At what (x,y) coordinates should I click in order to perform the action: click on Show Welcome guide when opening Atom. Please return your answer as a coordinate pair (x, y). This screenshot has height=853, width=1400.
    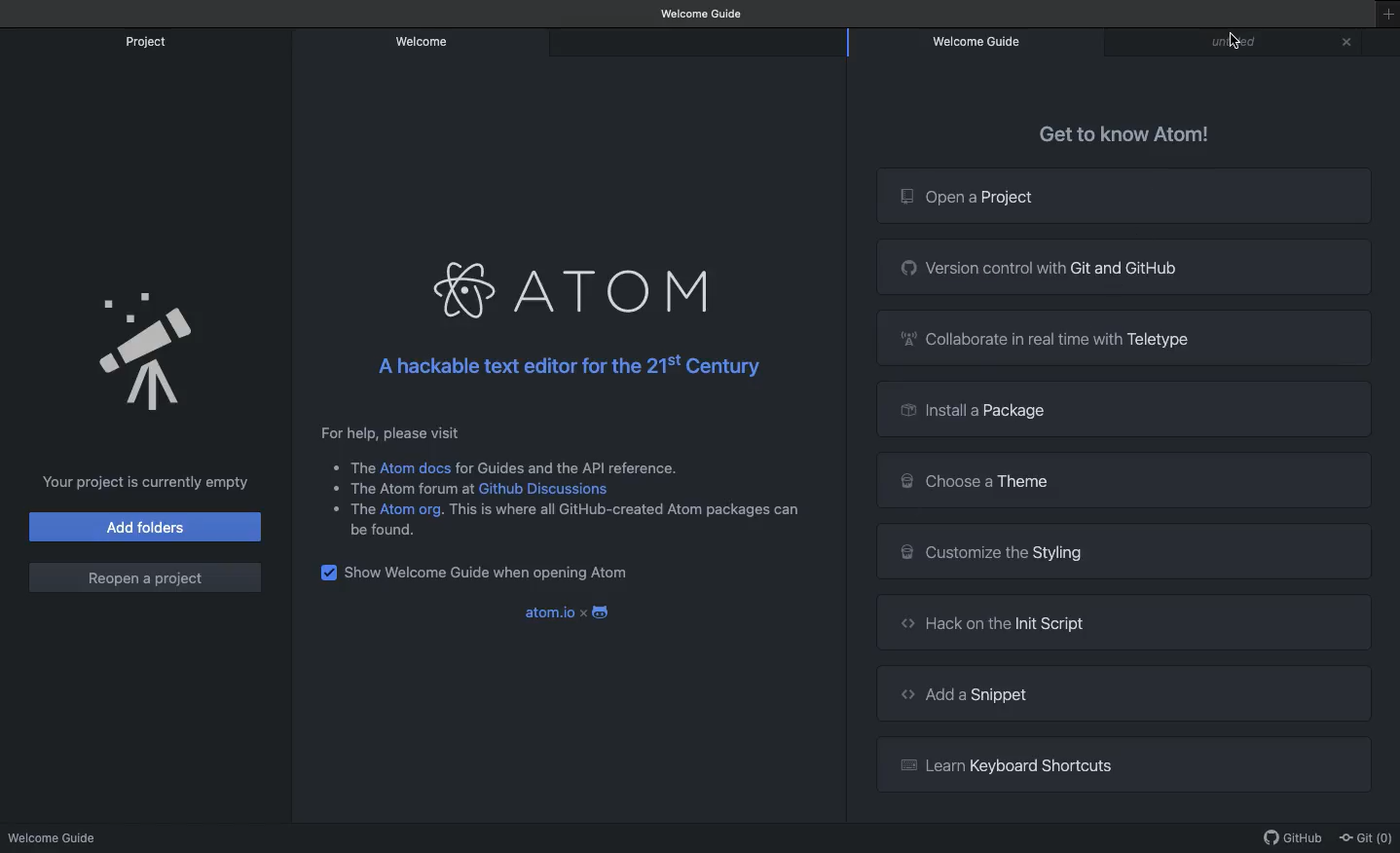
    Looking at the image, I should click on (495, 574).